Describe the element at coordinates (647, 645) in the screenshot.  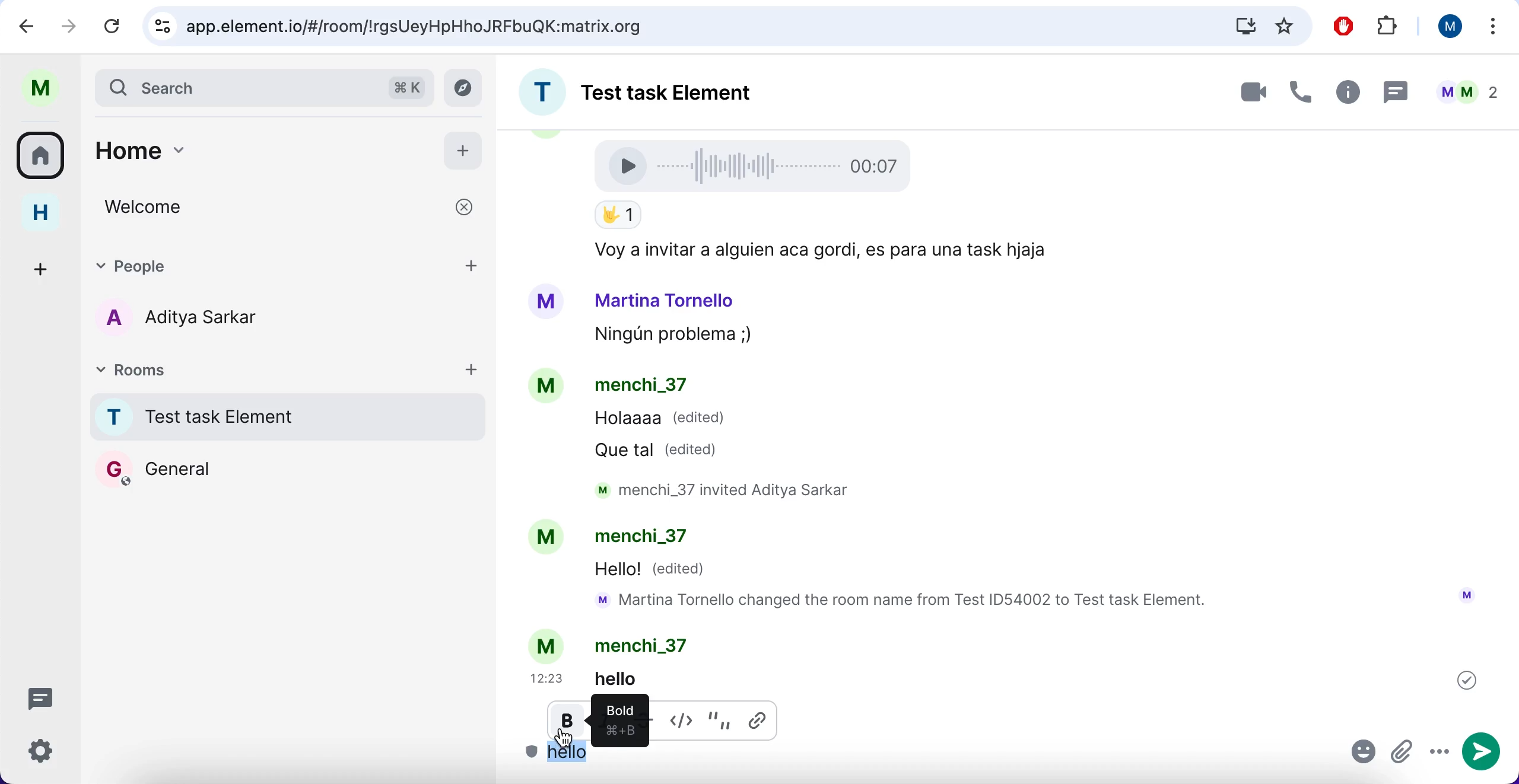
I see `menchi_37` at that location.